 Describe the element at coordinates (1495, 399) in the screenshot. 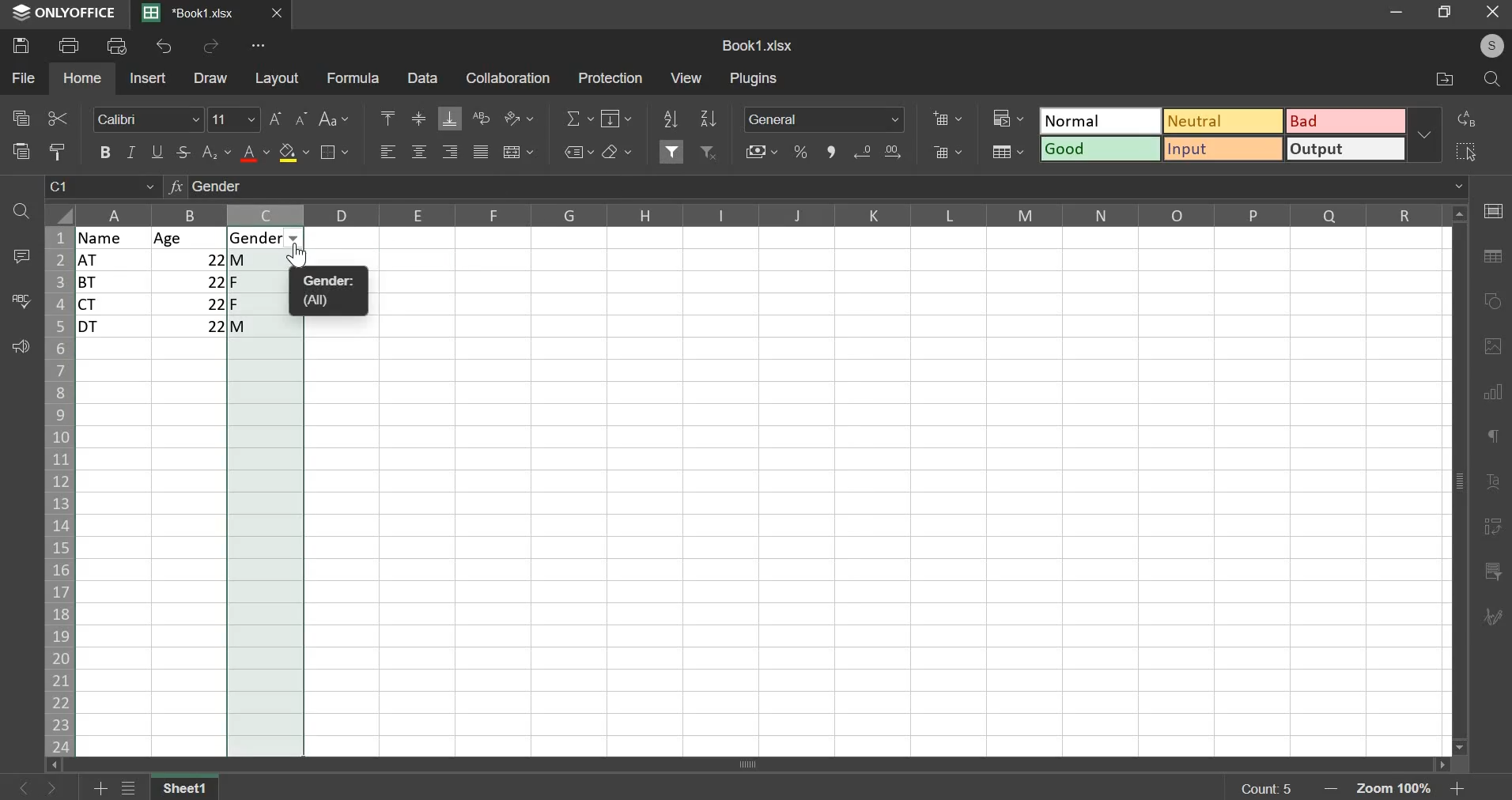

I see `chart` at that location.